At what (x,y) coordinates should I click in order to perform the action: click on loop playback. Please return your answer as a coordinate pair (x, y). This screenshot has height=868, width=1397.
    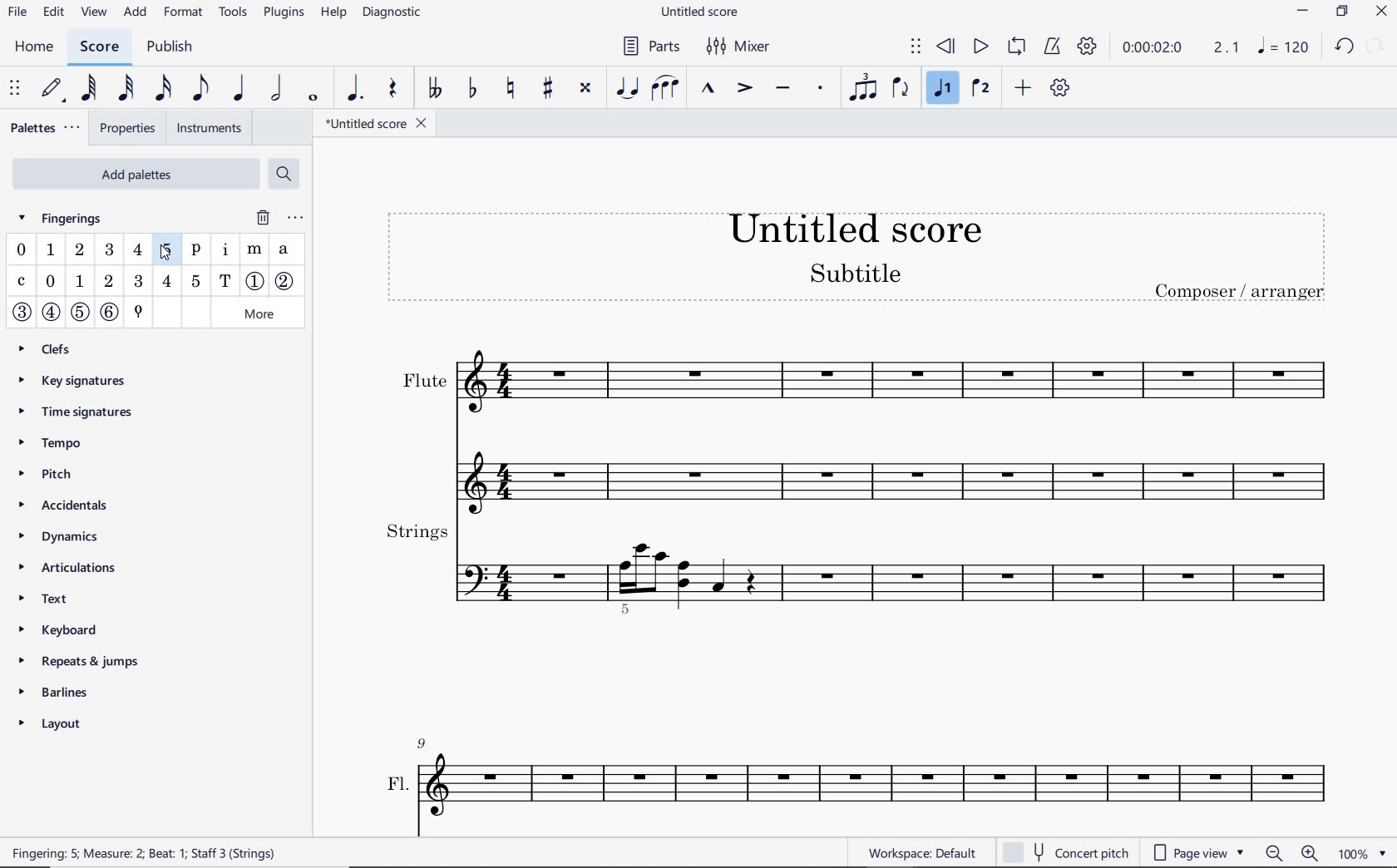
    Looking at the image, I should click on (1016, 47).